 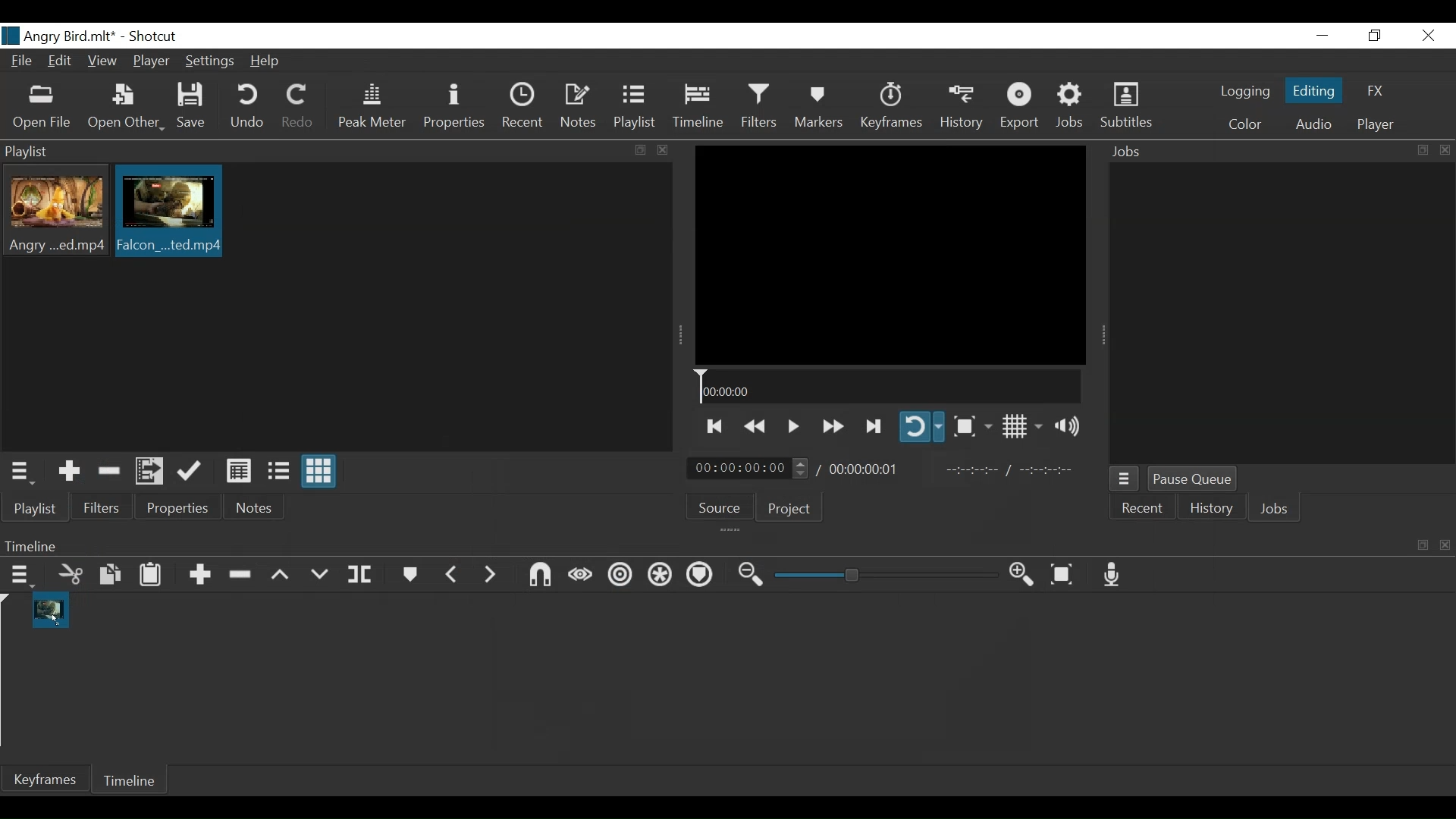 I want to click on History, so click(x=1212, y=510).